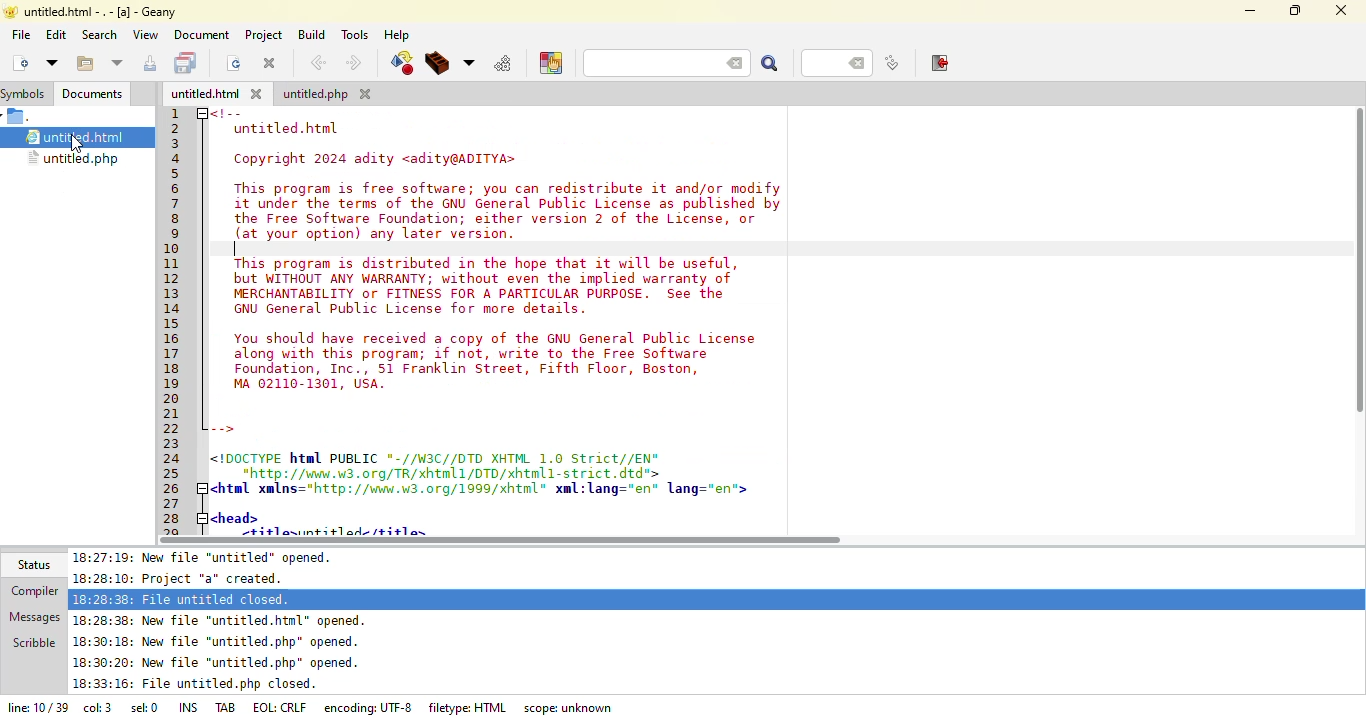 This screenshot has height=718, width=1366. I want to click on save current fle, so click(149, 63).